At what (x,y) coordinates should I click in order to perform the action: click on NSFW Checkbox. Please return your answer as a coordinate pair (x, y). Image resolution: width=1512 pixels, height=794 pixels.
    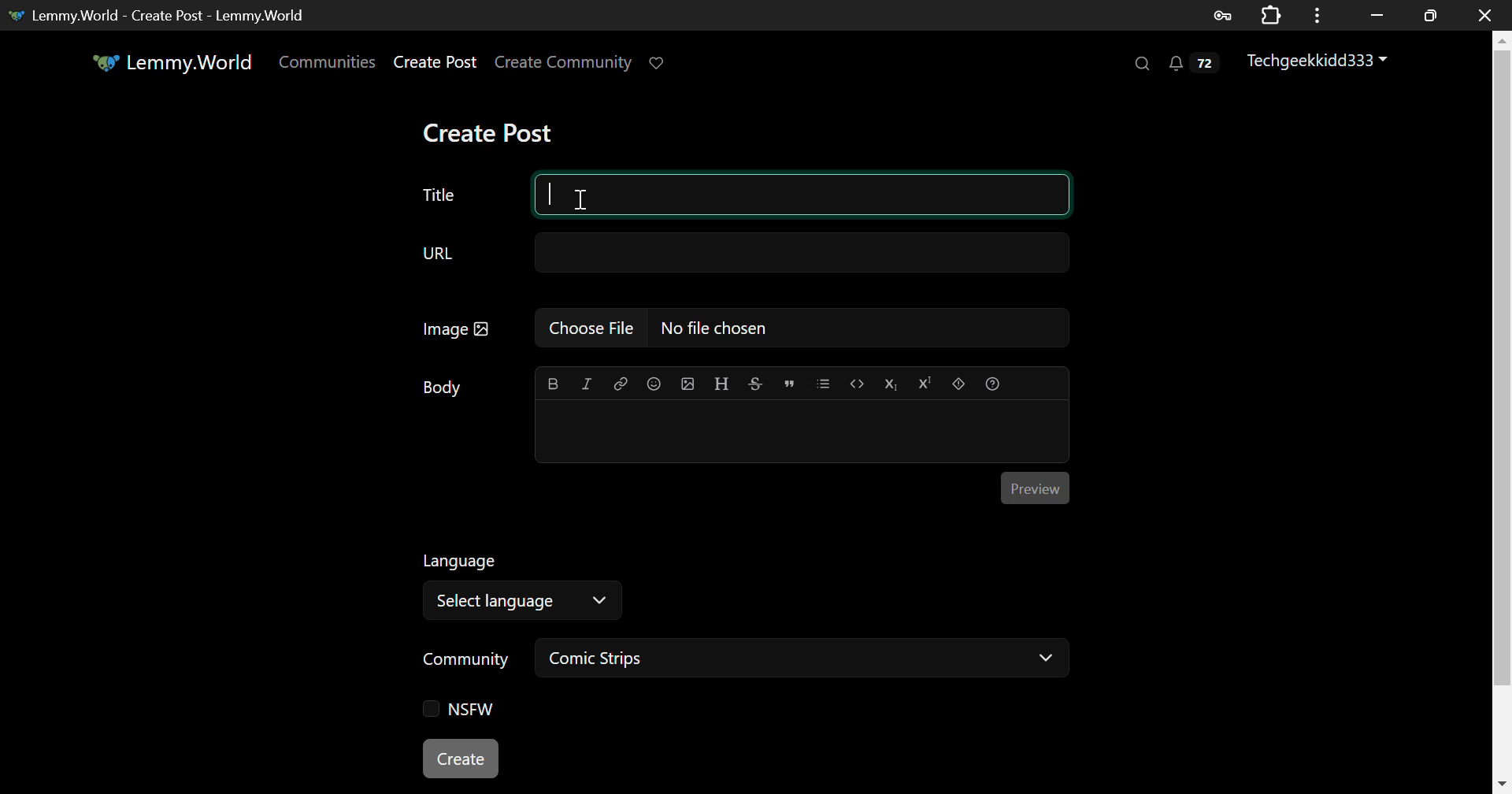
    Looking at the image, I should click on (459, 711).